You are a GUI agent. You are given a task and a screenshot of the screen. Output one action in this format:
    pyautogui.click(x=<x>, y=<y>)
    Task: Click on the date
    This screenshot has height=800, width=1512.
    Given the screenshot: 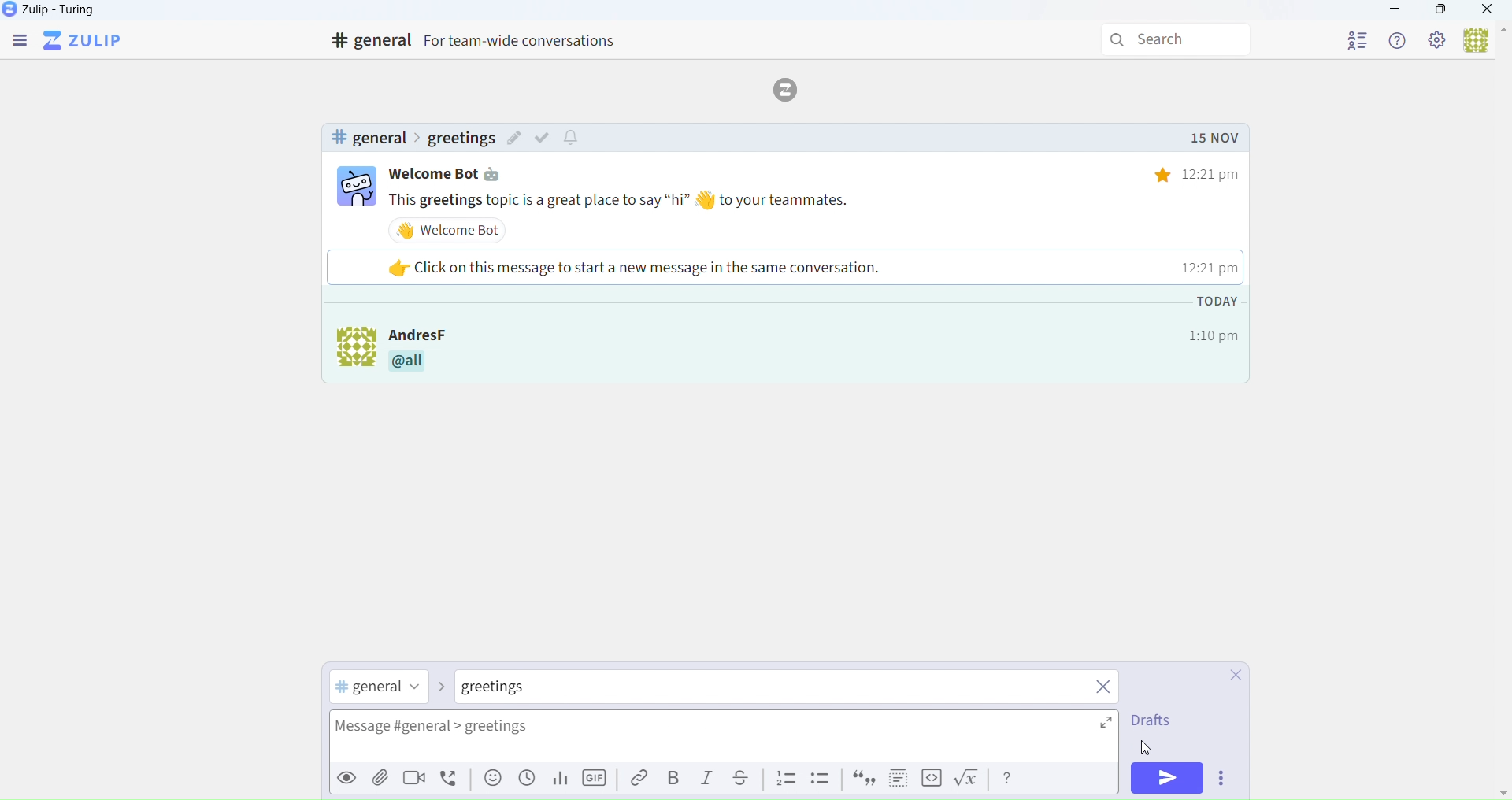 What is the action you would take?
    pyautogui.click(x=1214, y=139)
    